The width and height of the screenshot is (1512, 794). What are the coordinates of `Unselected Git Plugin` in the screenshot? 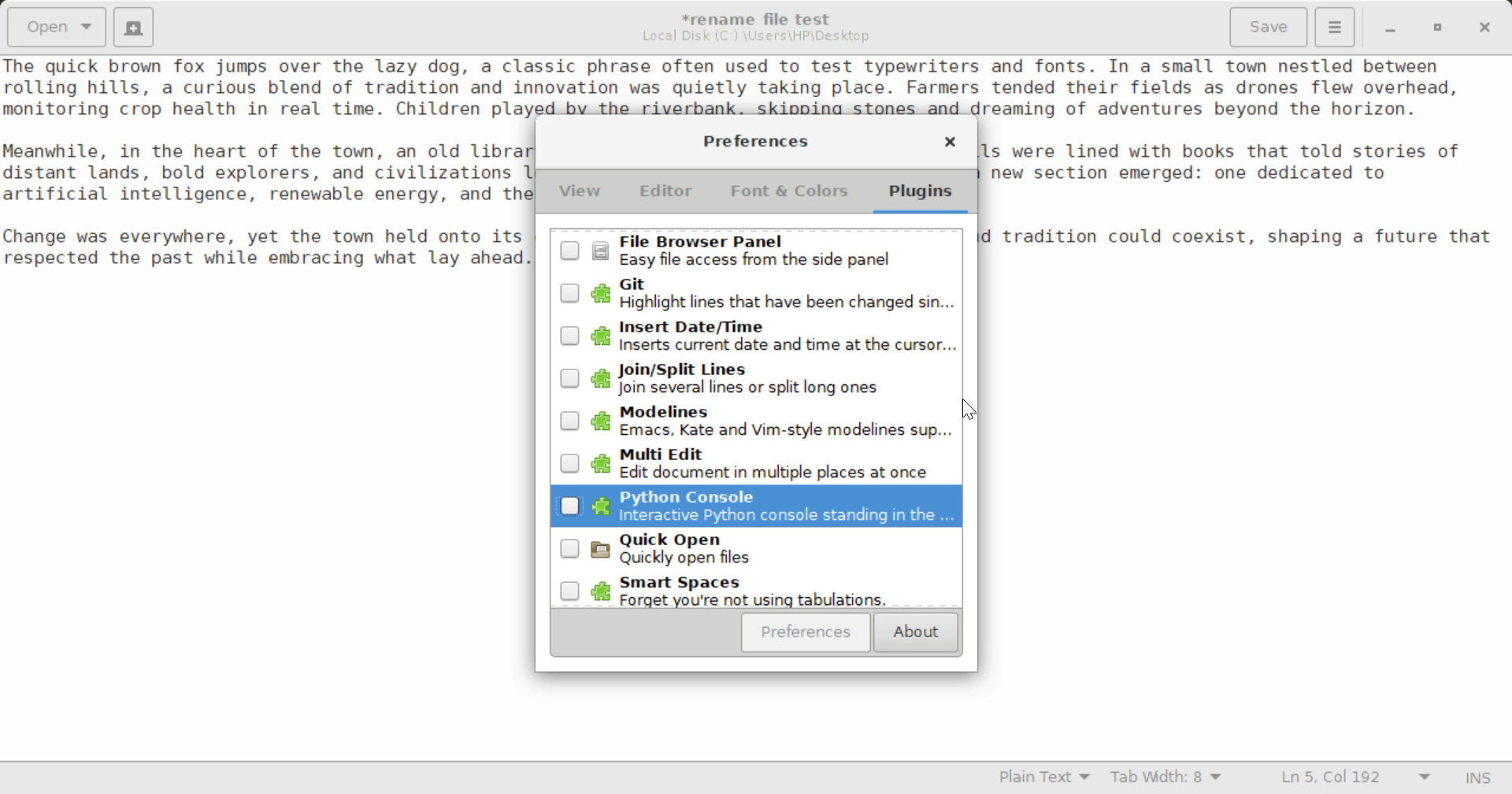 It's located at (760, 293).